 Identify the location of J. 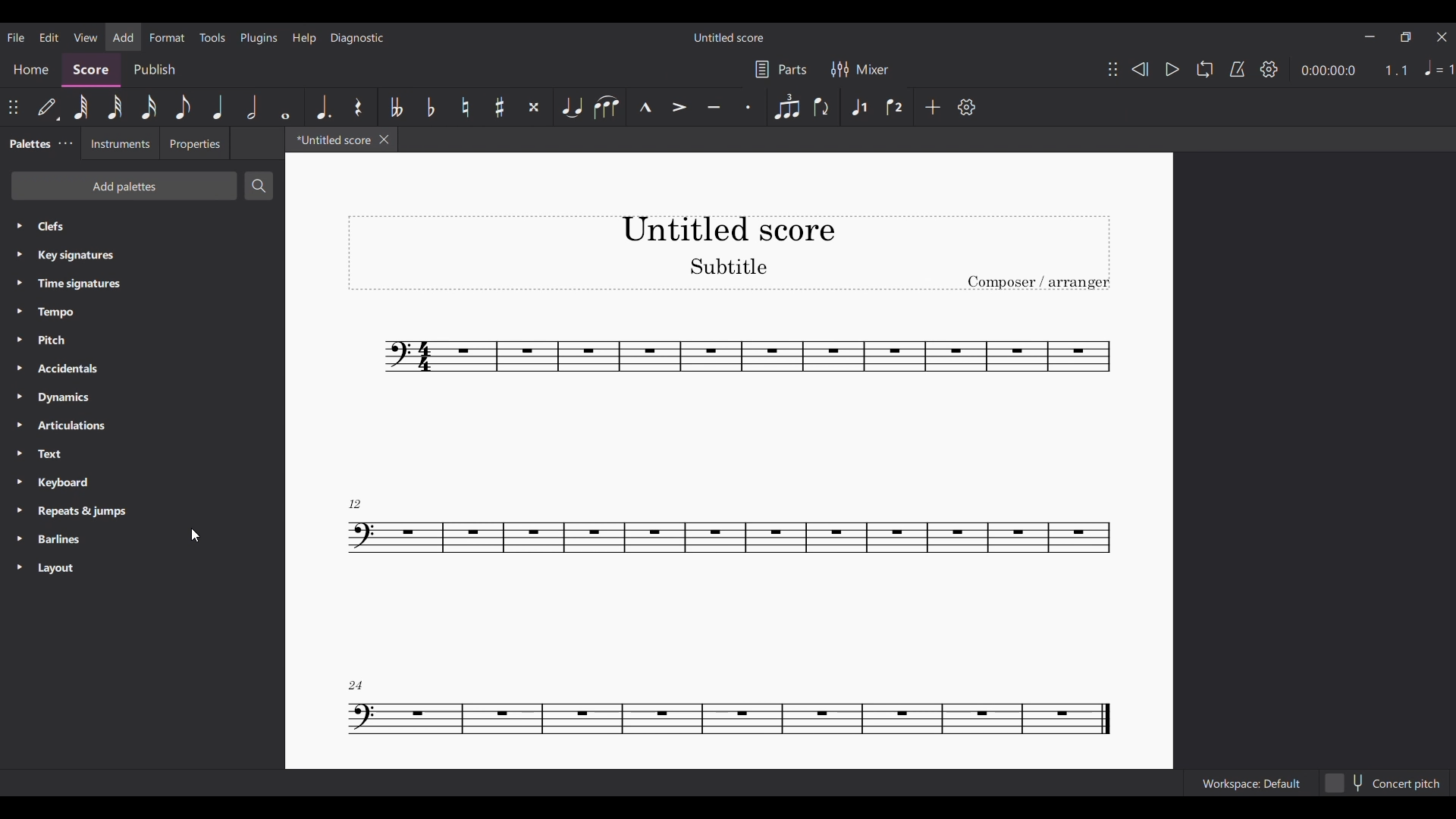
(221, 106).